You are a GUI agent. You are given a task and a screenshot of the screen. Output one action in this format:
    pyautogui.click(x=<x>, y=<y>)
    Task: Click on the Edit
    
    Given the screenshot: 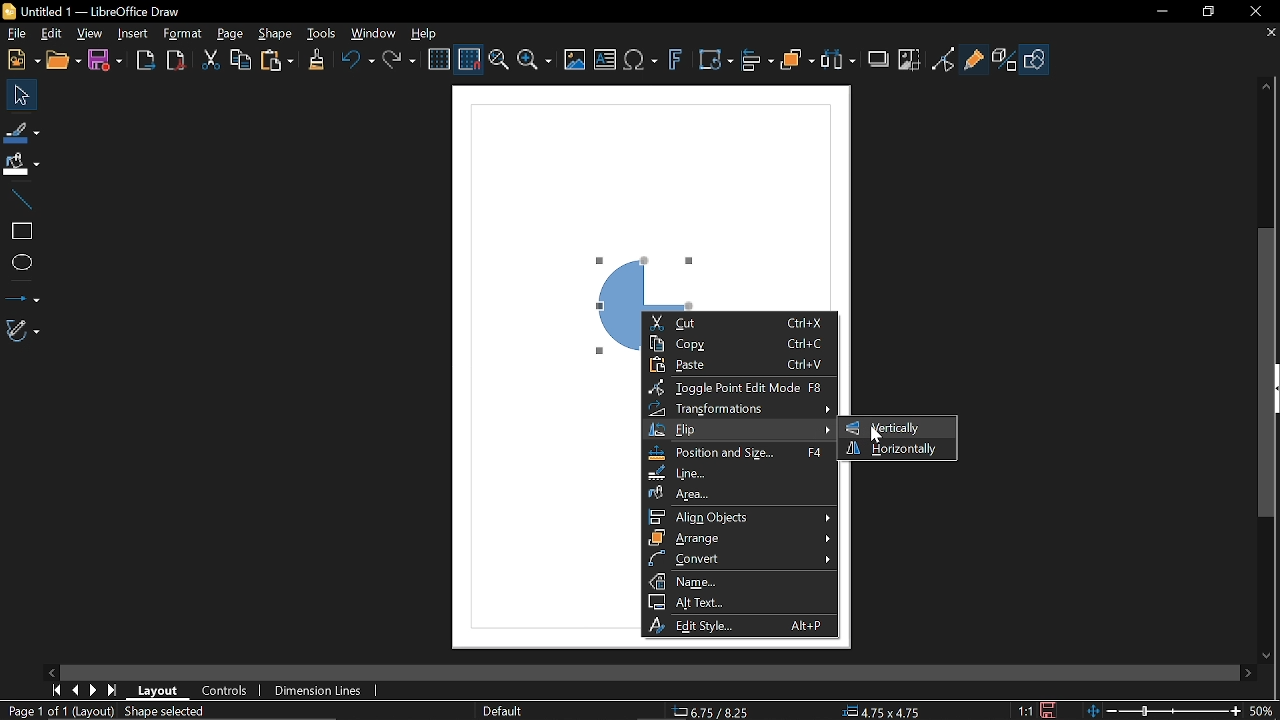 What is the action you would take?
    pyautogui.click(x=50, y=34)
    